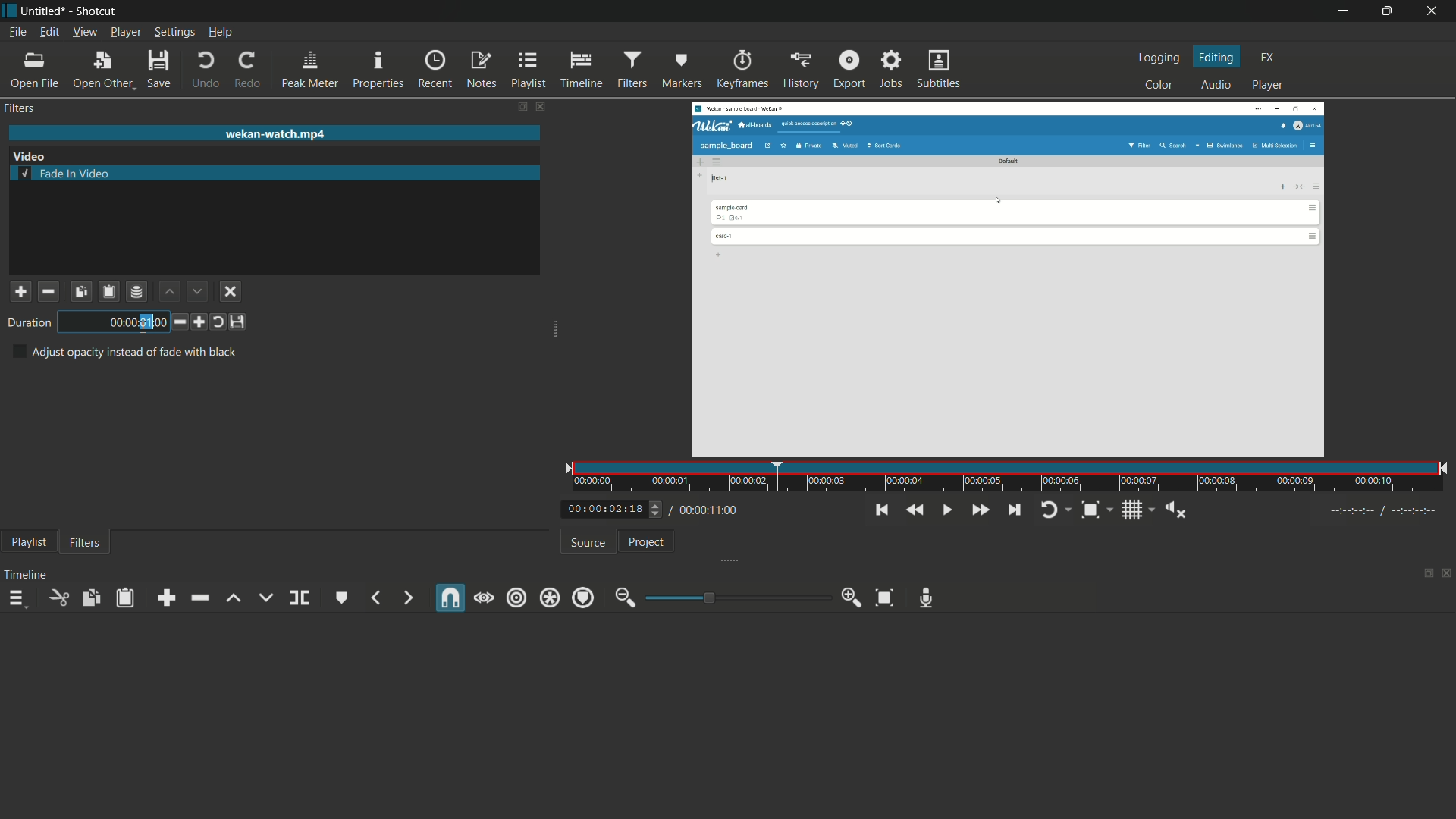 This screenshot has width=1456, height=819. What do you see at coordinates (1269, 86) in the screenshot?
I see `player` at bounding box center [1269, 86].